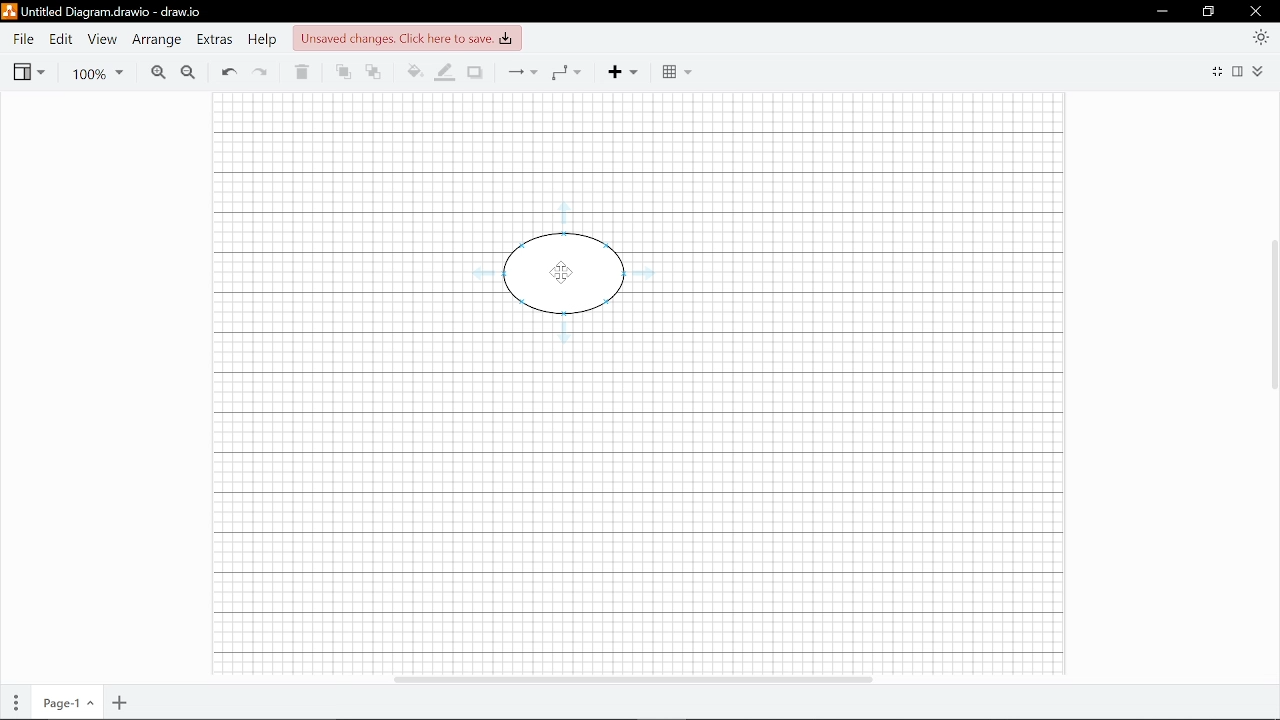 This screenshot has height=720, width=1280. What do you see at coordinates (159, 40) in the screenshot?
I see `Arrange` at bounding box center [159, 40].